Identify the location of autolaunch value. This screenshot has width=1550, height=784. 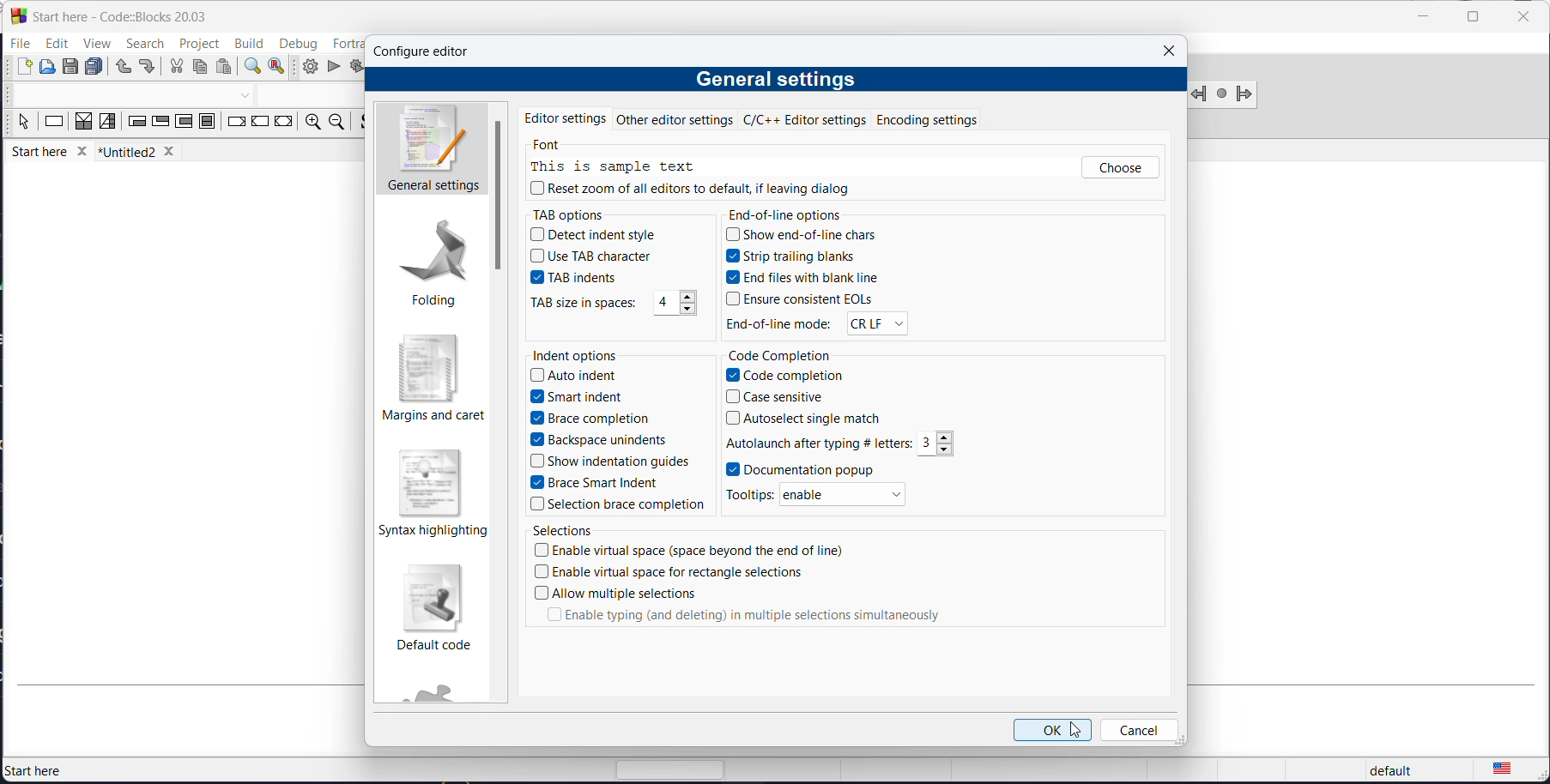
(927, 443).